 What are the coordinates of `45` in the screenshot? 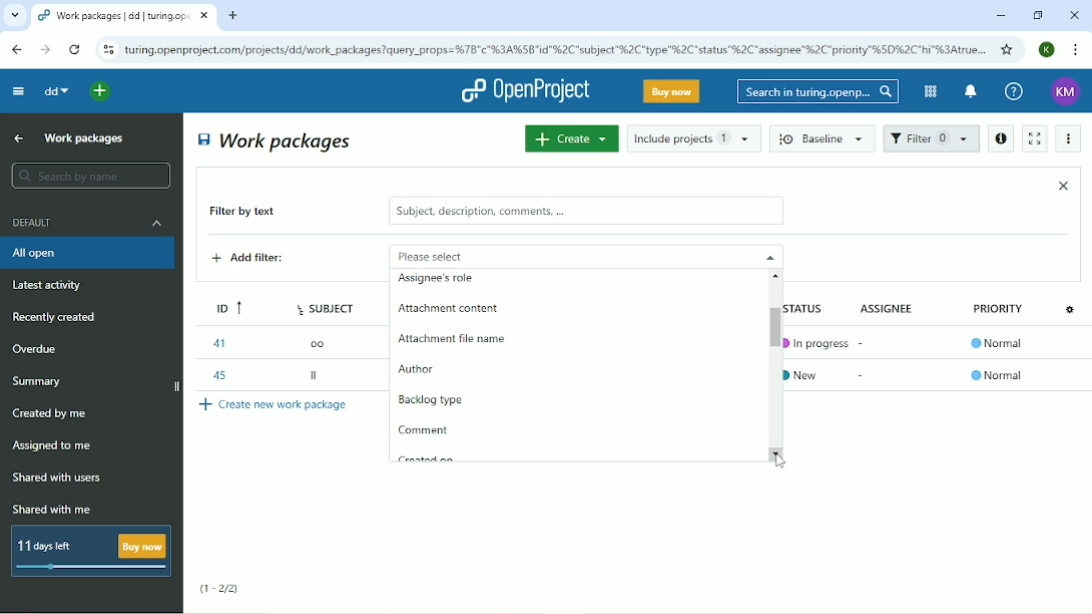 It's located at (217, 373).